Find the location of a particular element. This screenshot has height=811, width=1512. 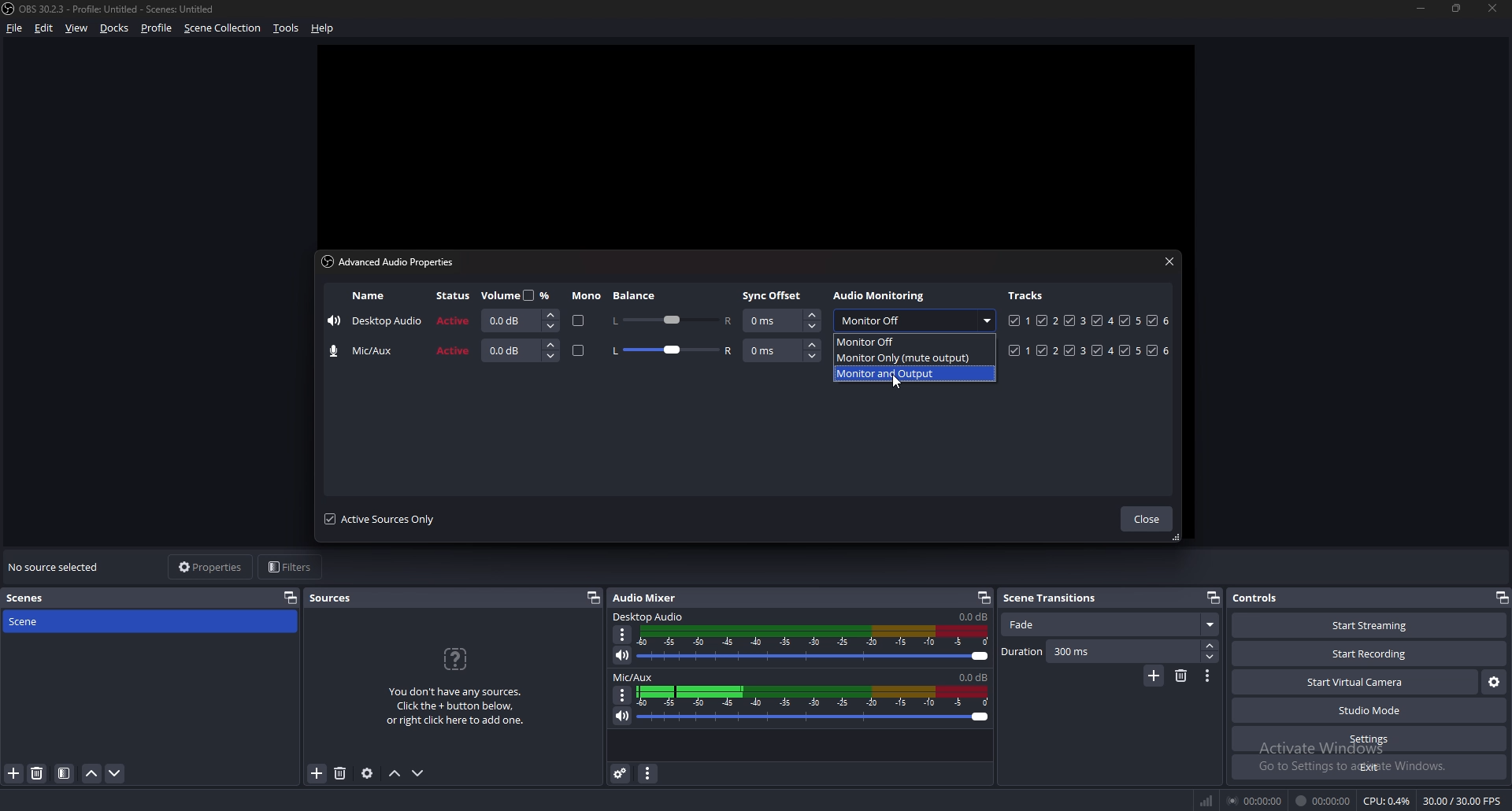

add source is located at coordinates (316, 774).